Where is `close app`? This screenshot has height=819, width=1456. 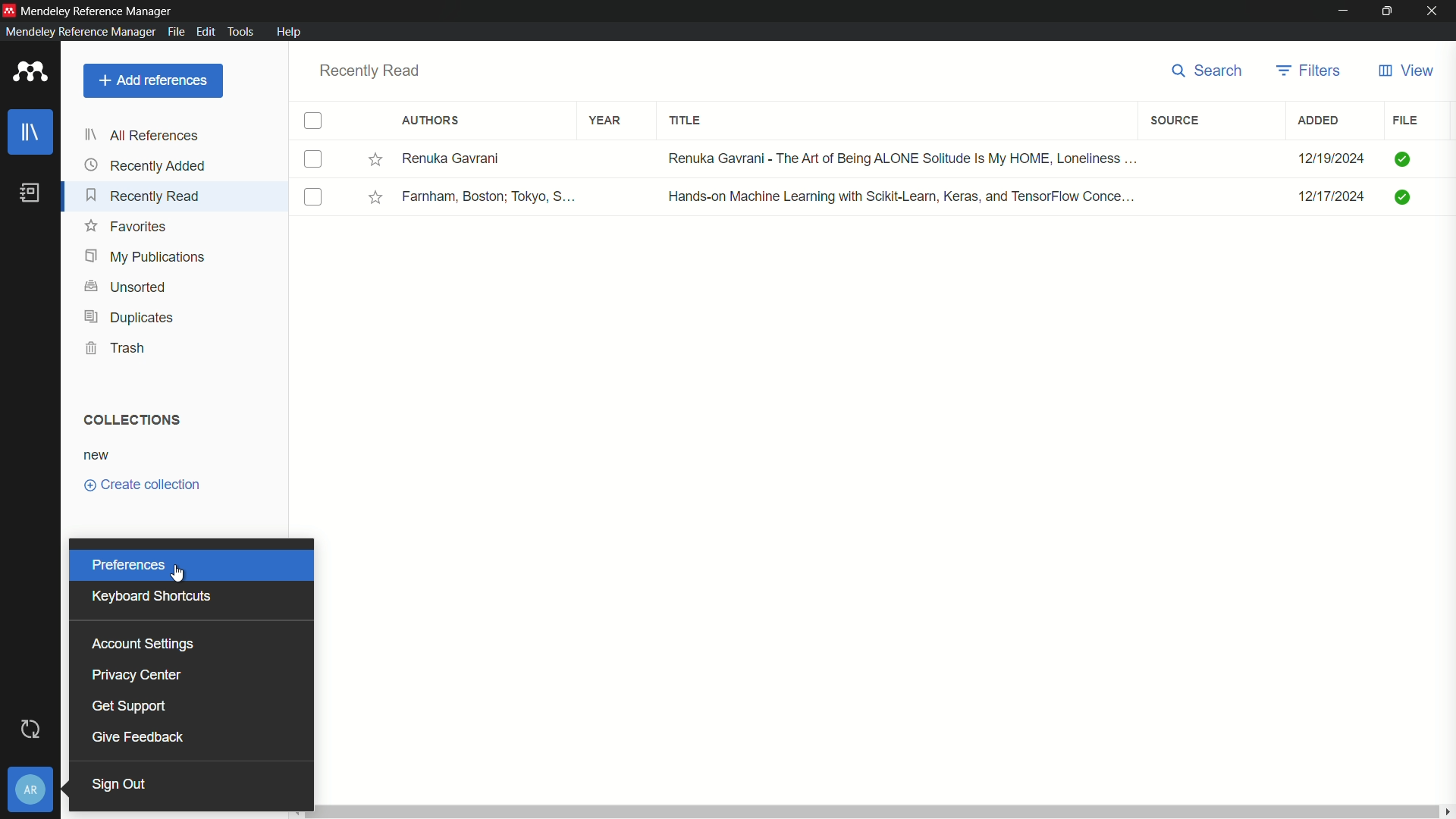
close app is located at coordinates (1436, 11).